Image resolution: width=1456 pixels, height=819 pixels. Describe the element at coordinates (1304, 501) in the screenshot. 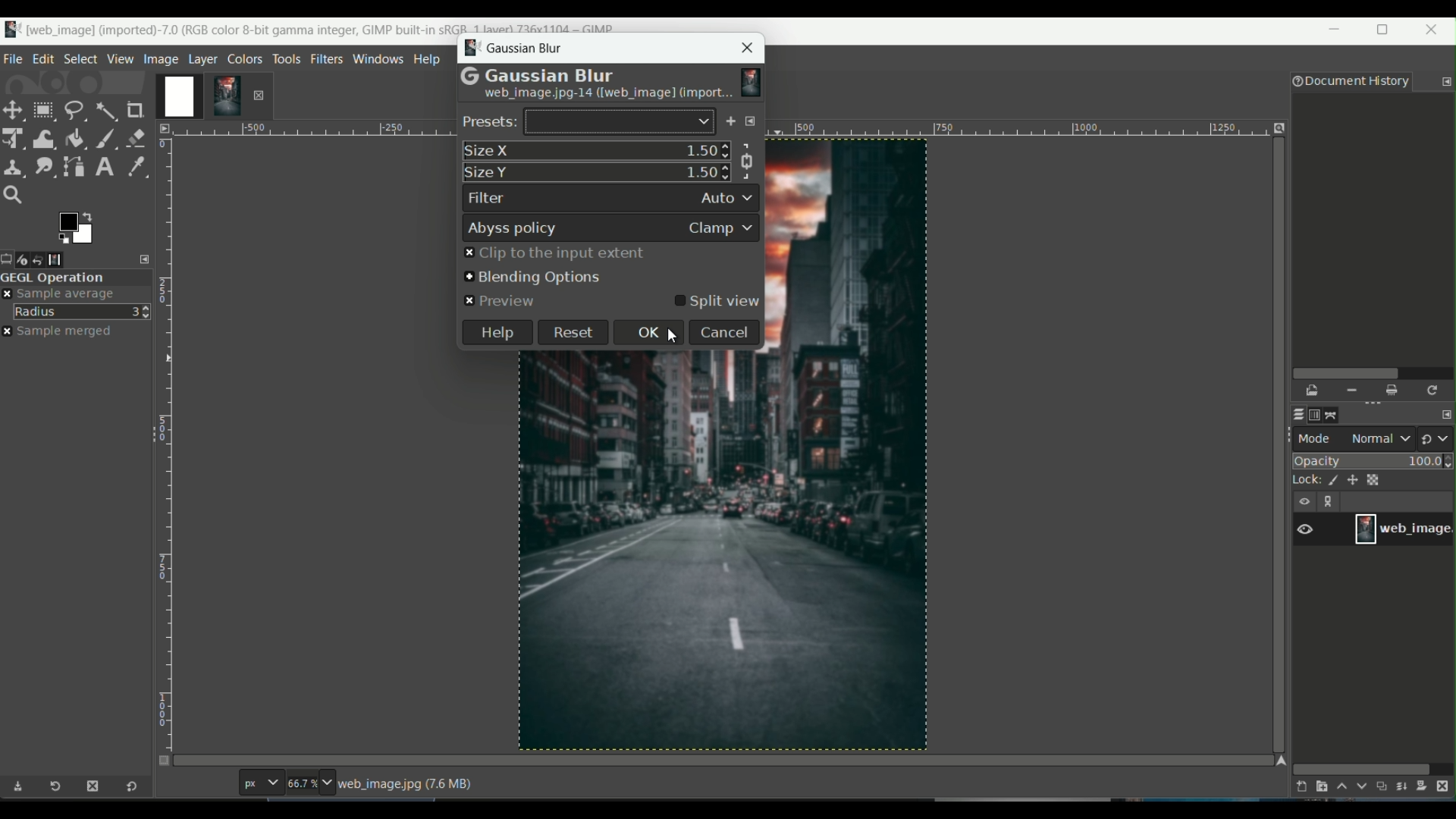

I see `(un)hide` at that location.